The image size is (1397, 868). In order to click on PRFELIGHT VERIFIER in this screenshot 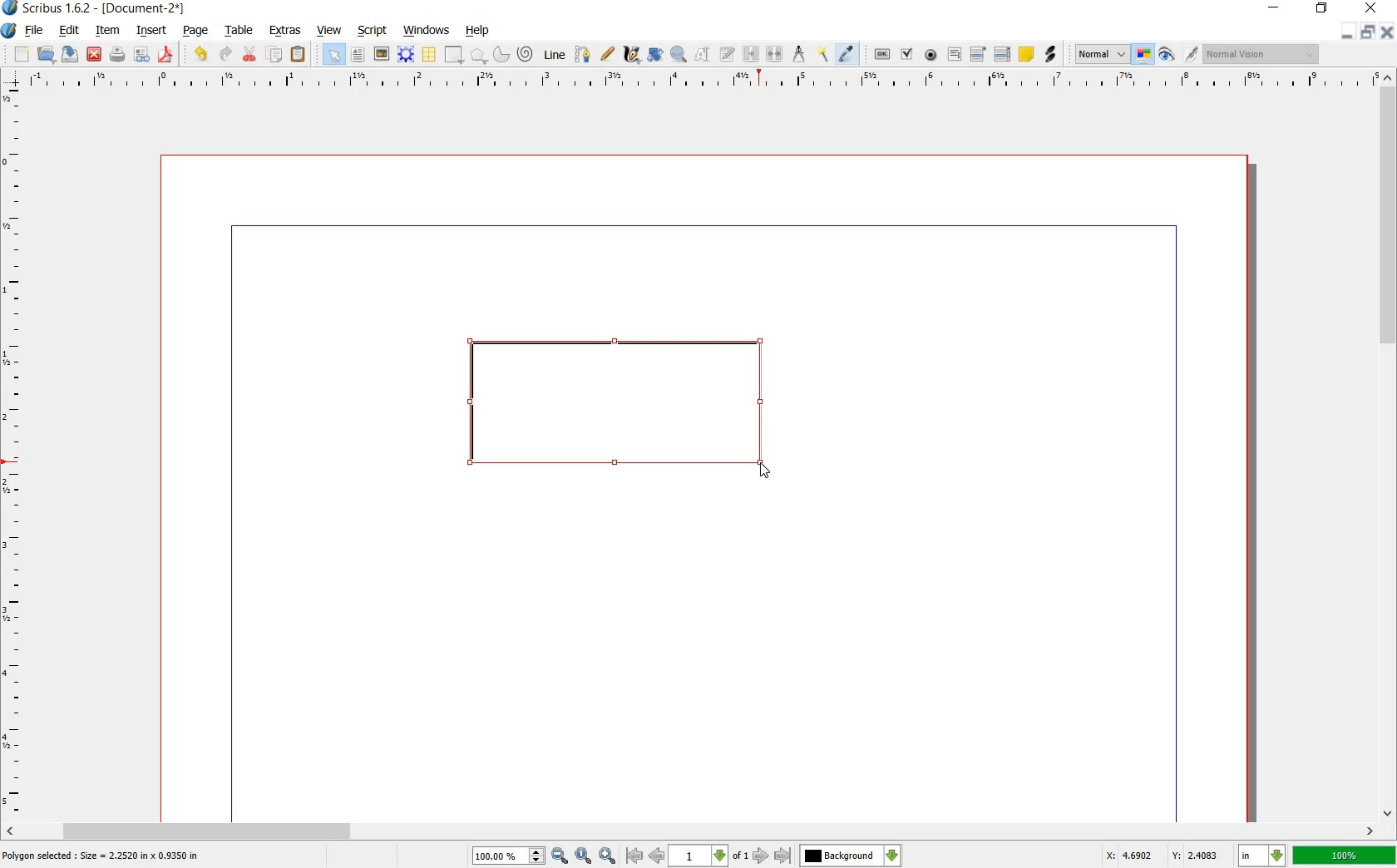, I will do `click(141, 56)`.